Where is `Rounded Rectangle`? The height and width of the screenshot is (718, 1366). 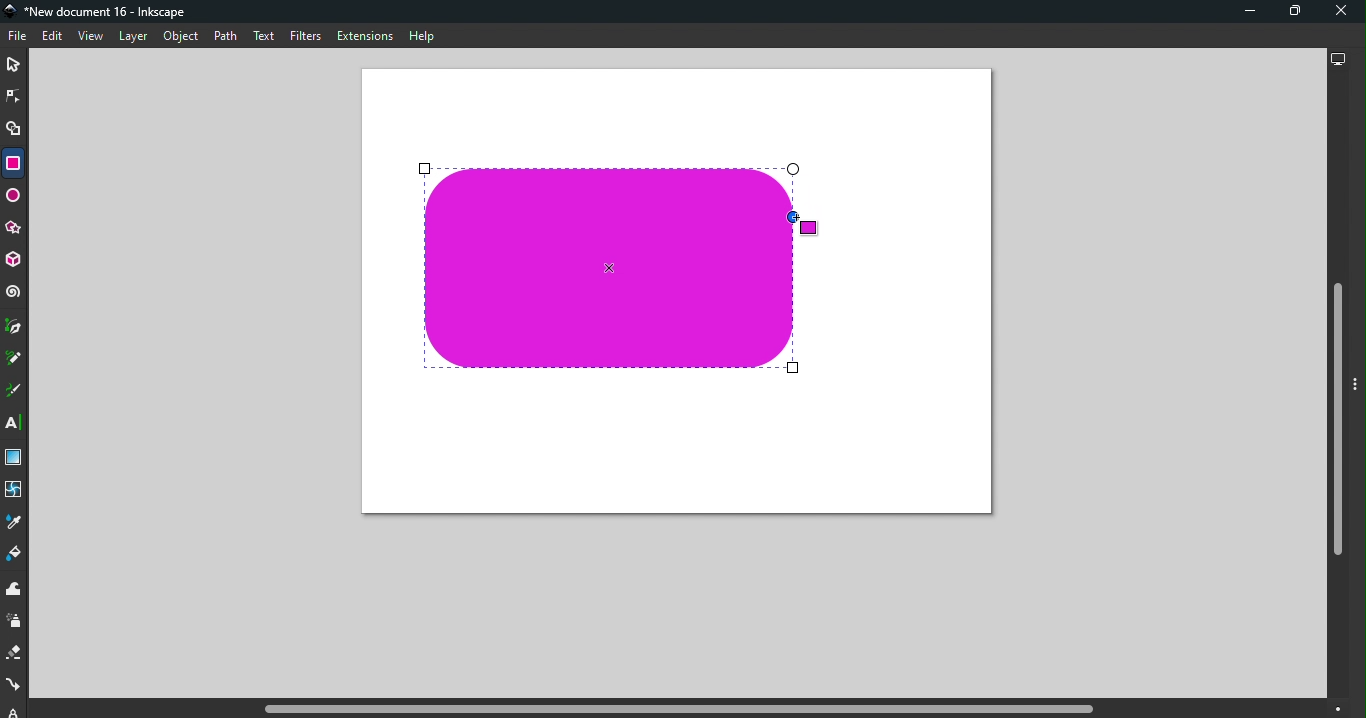 Rounded Rectangle is located at coordinates (609, 270).